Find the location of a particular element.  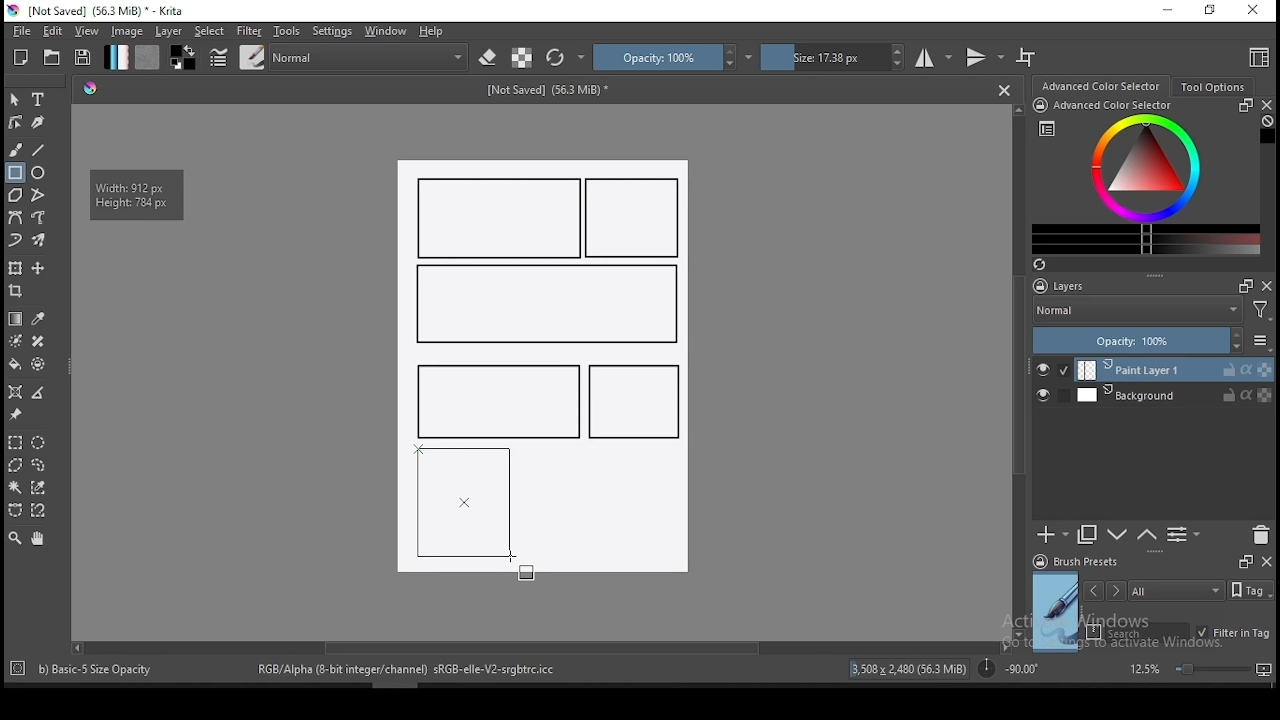

tags is located at coordinates (1176, 590).